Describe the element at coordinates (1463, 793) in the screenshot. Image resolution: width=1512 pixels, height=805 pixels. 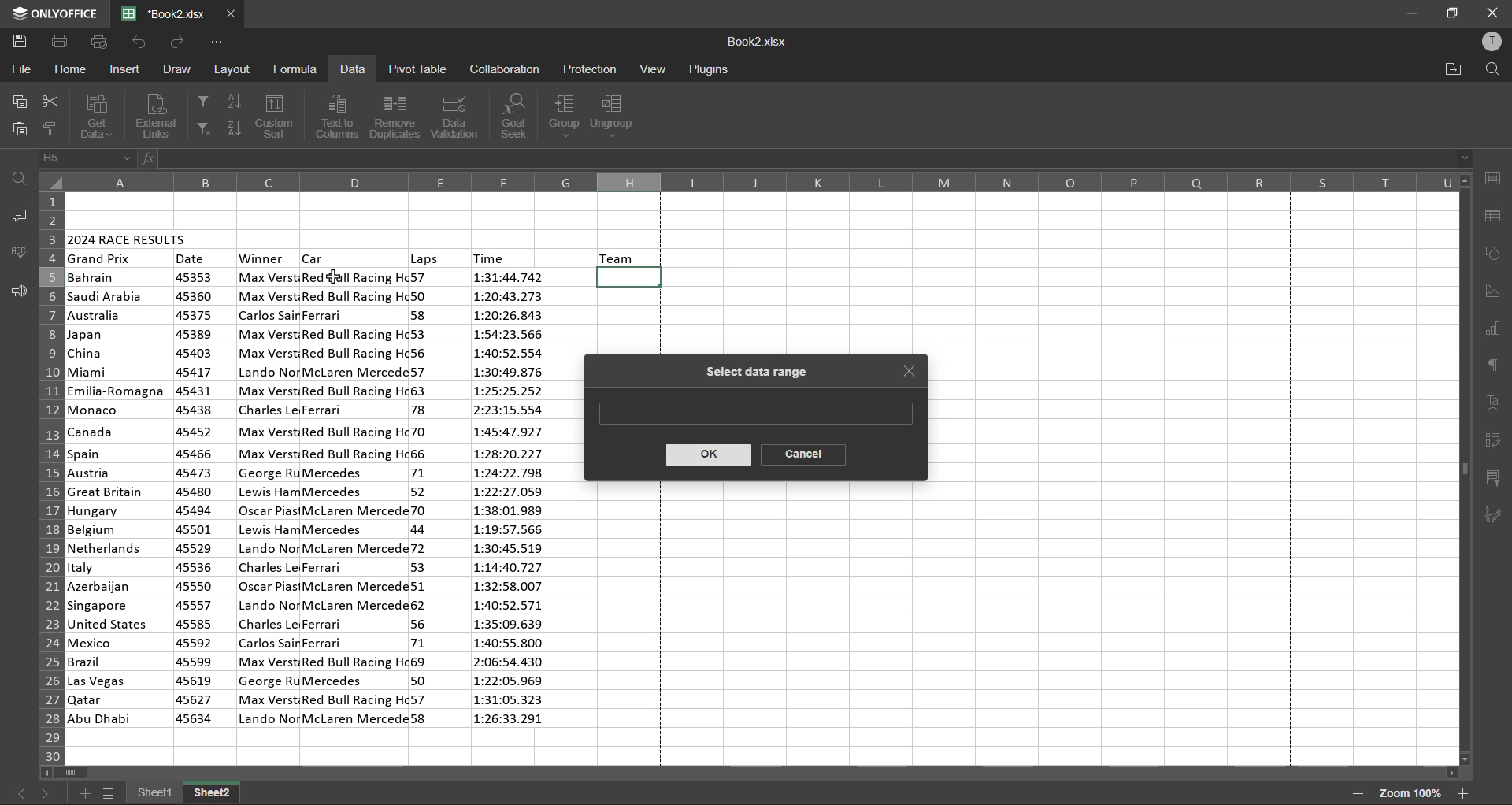
I see `zoom in` at that location.